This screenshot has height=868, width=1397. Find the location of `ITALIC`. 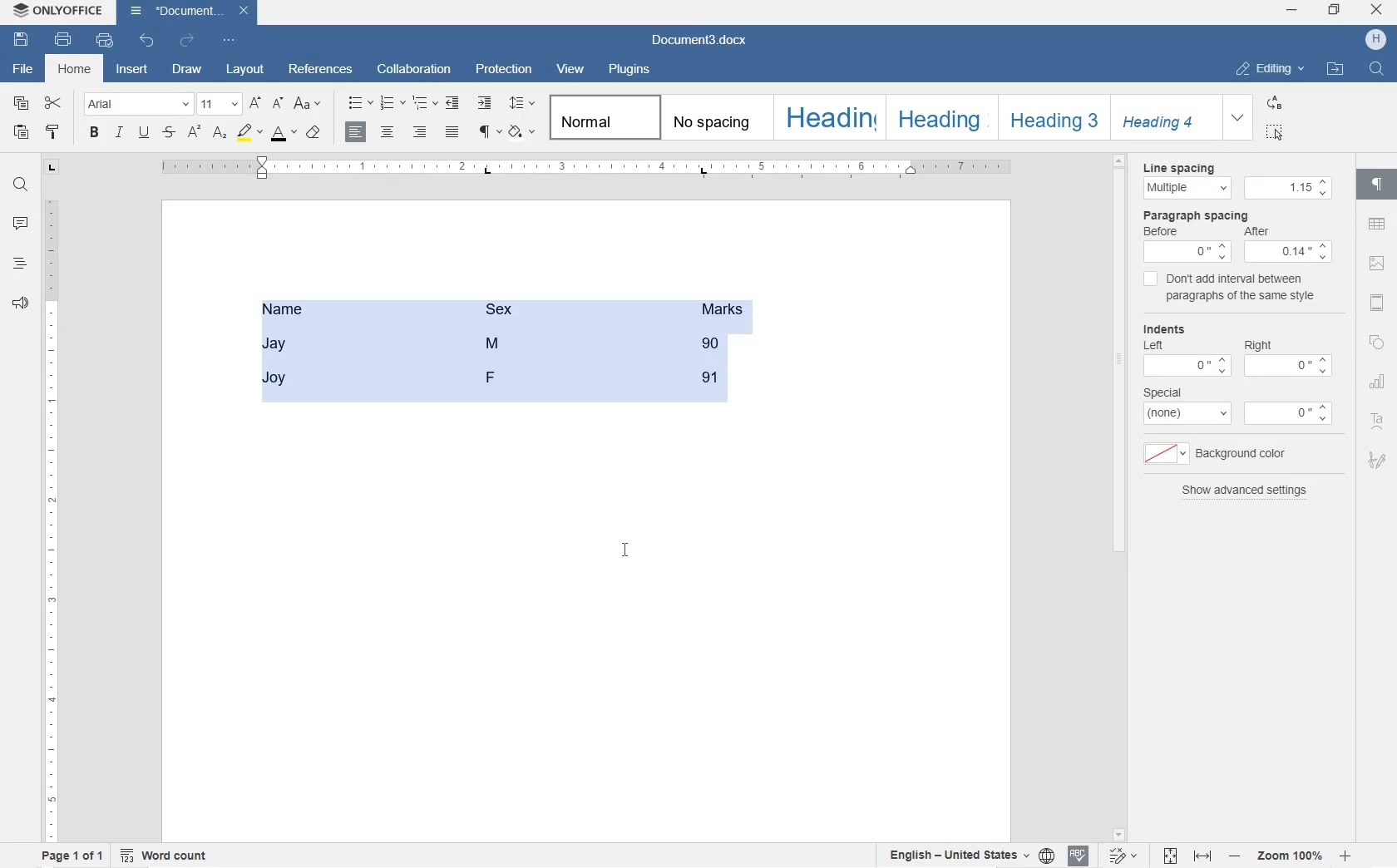

ITALIC is located at coordinates (119, 134).